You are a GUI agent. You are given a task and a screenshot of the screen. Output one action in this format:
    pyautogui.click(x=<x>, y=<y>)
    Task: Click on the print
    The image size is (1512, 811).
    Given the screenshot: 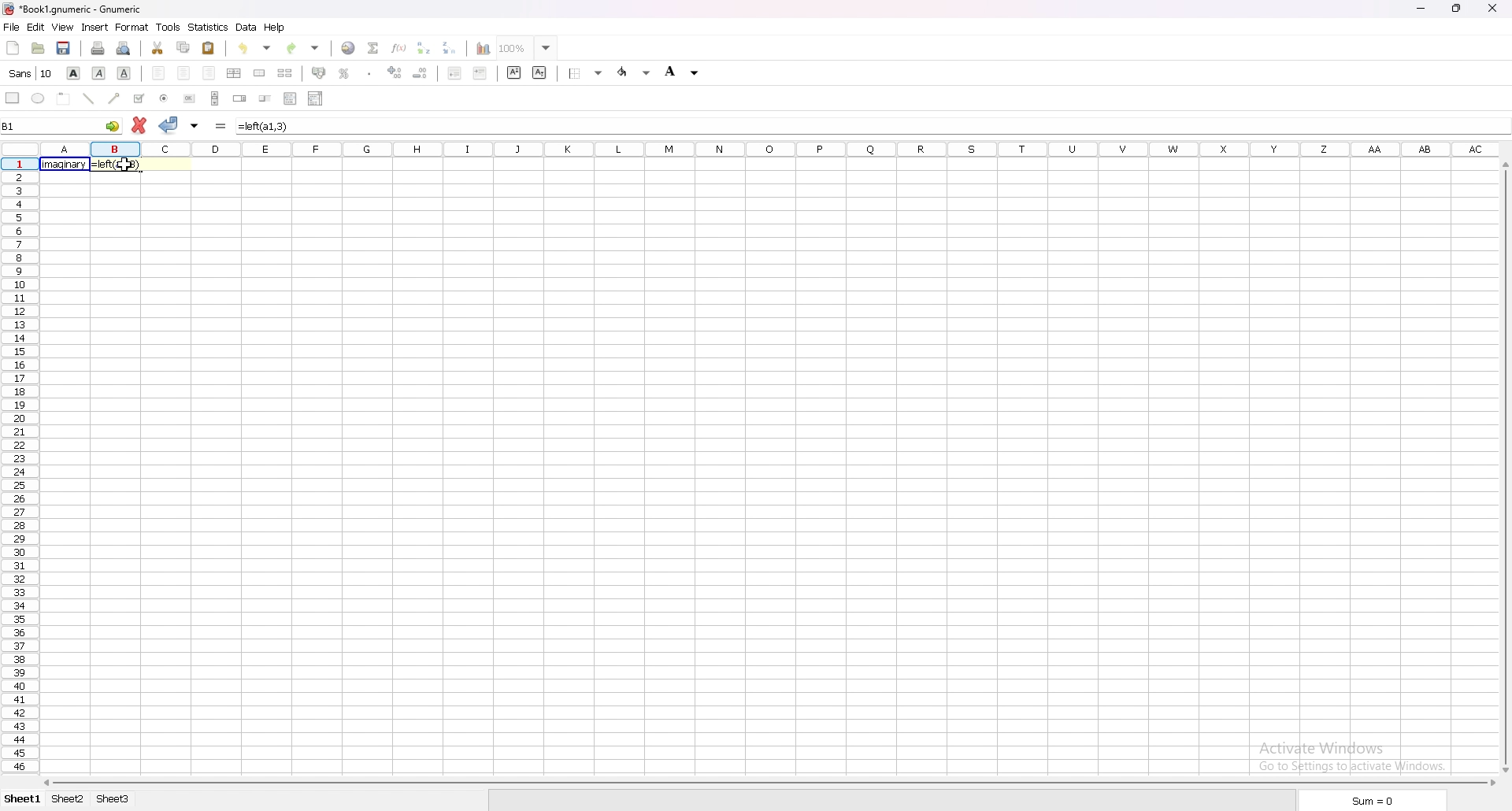 What is the action you would take?
    pyautogui.click(x=98, y=48)
    